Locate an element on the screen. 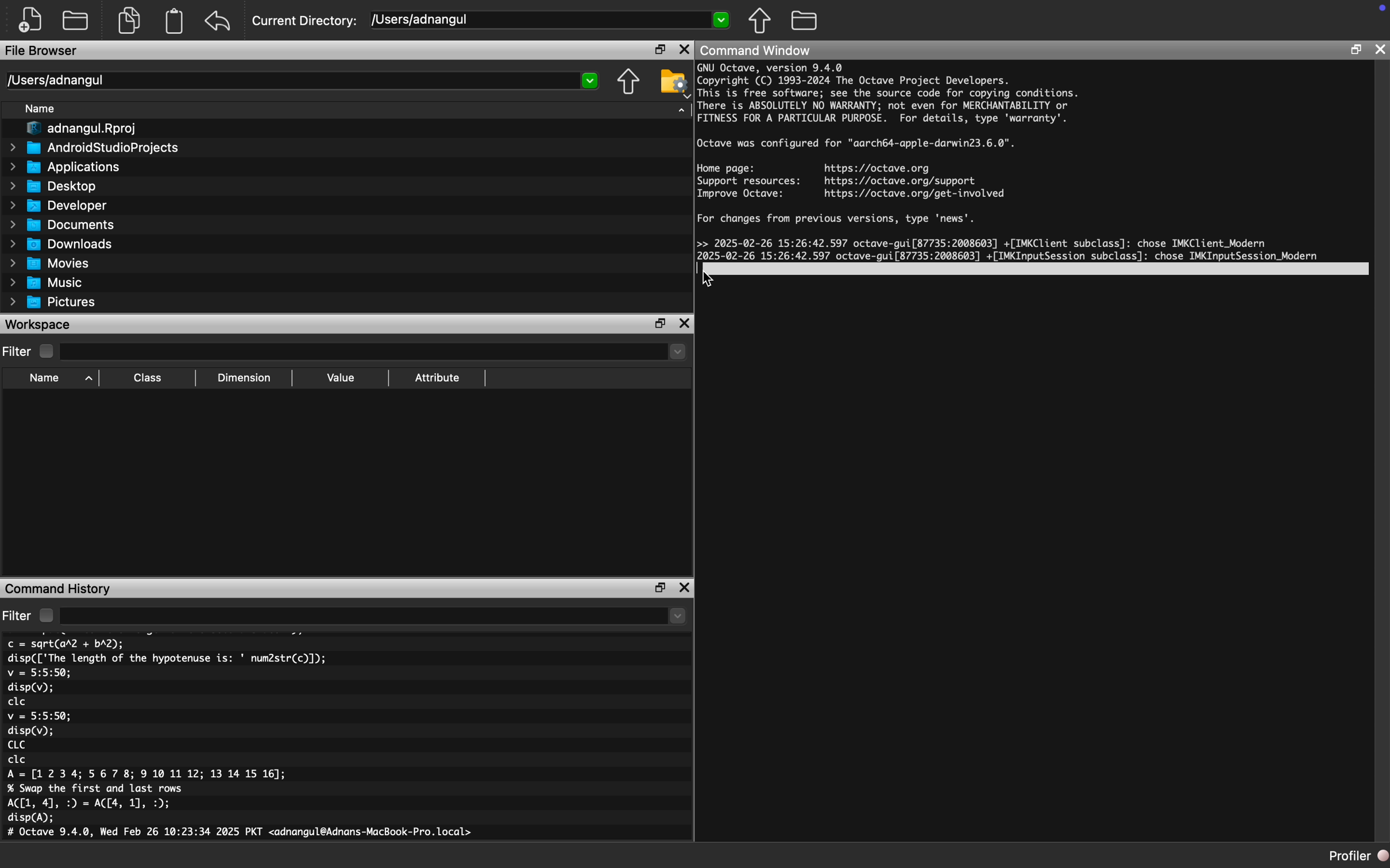 The image size is (1390, 868). Name  is located at coordinates (58, 379).